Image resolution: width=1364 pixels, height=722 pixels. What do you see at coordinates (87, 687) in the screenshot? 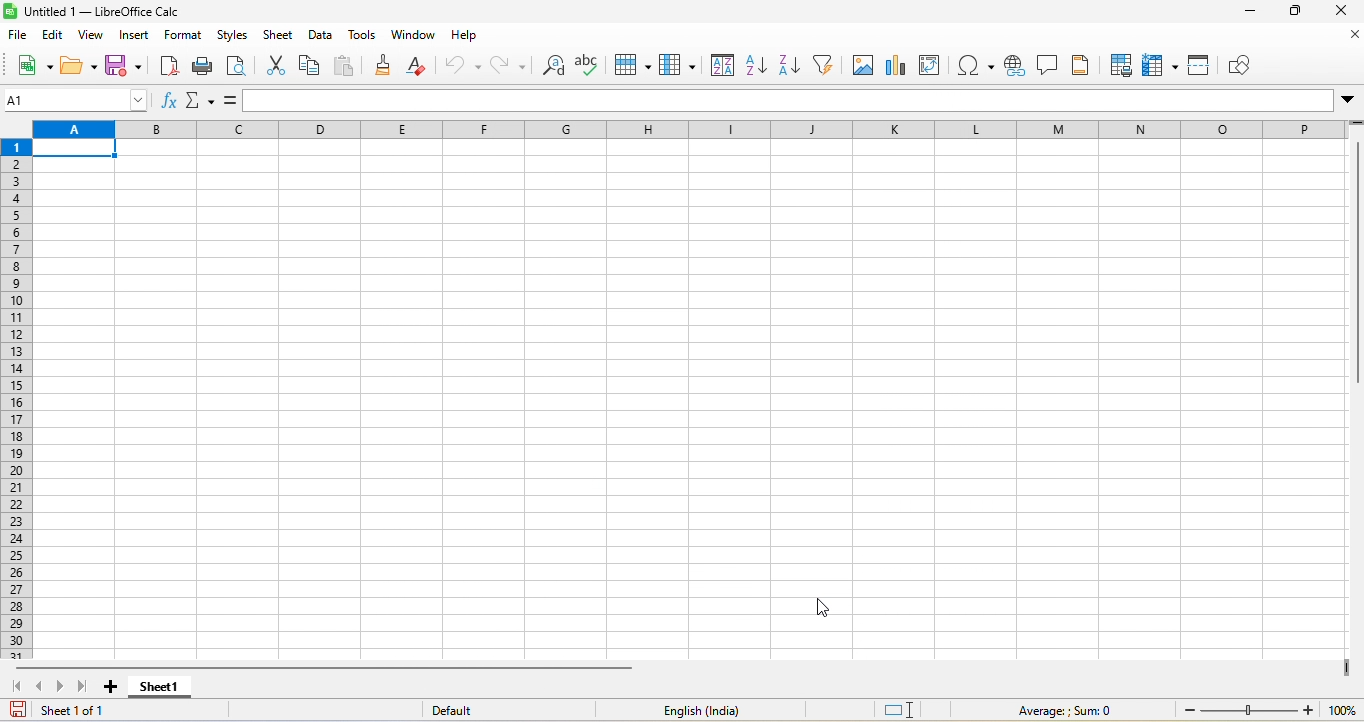
I see `last sheet` at bounding box center [87, 687].